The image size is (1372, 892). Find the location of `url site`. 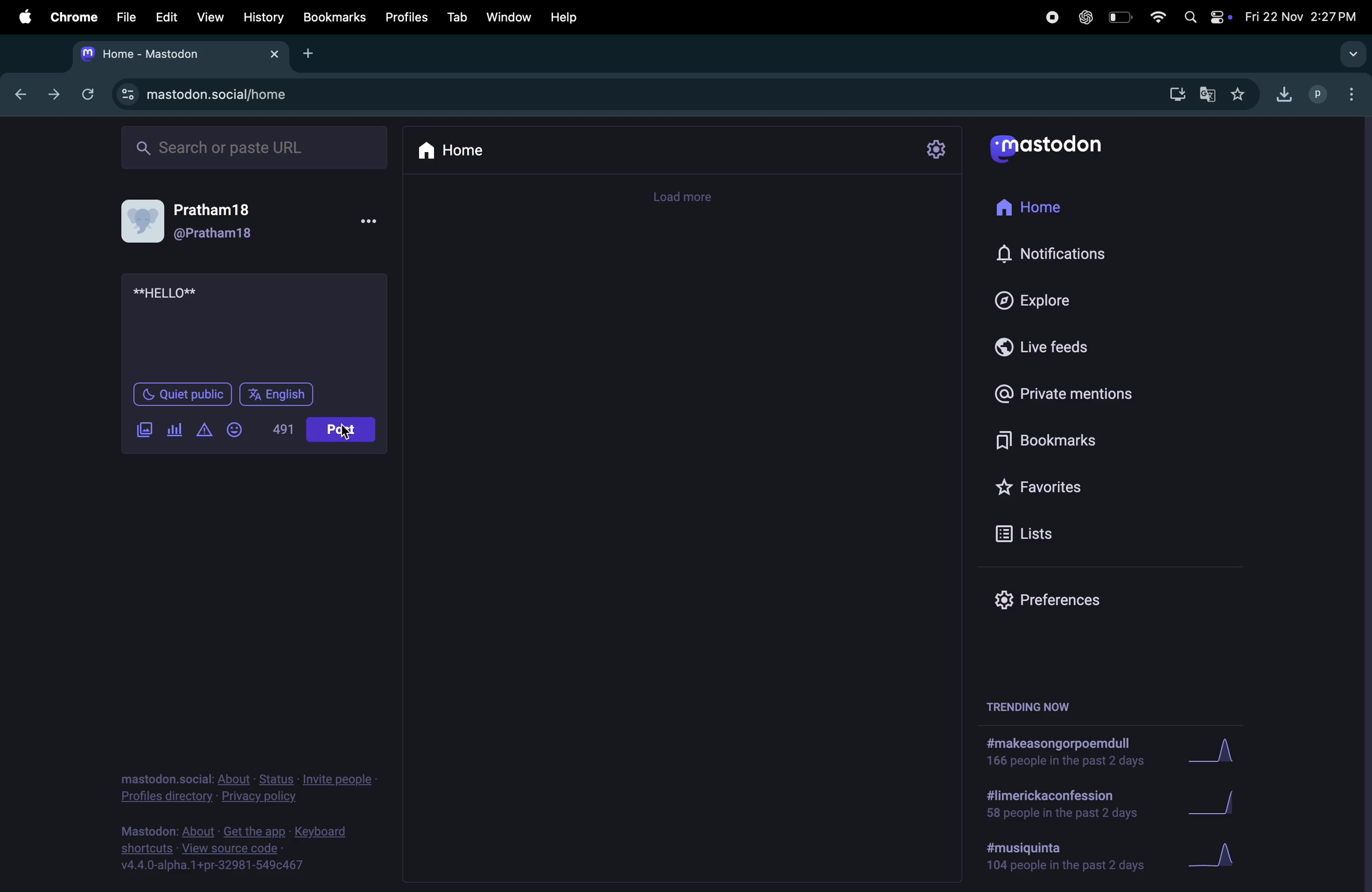

url site is located at coordinates (211, 97).